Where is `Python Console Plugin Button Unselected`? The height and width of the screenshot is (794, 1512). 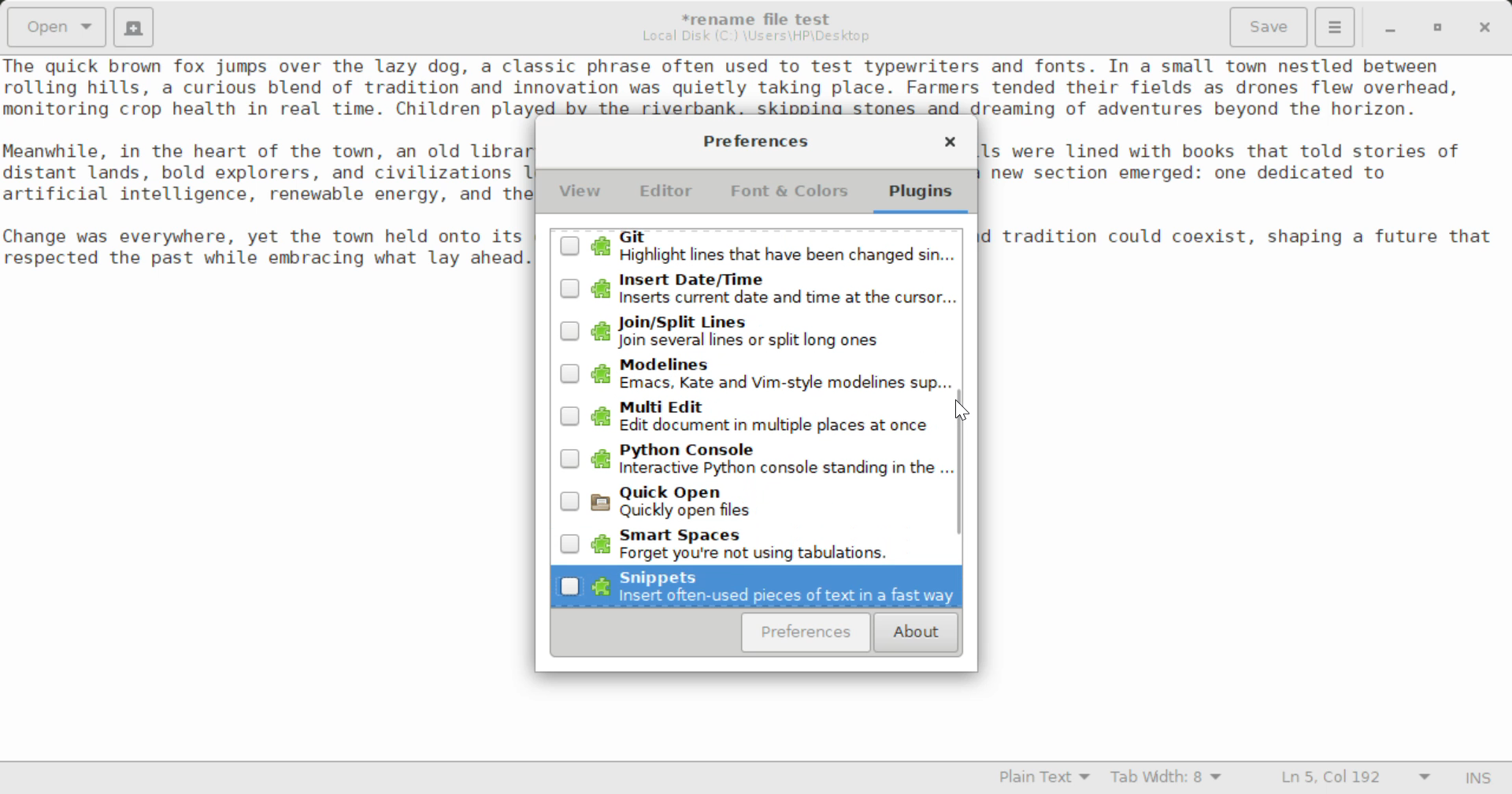 Python Console Plugin Button Unselected is located at coordinates (757, 455).